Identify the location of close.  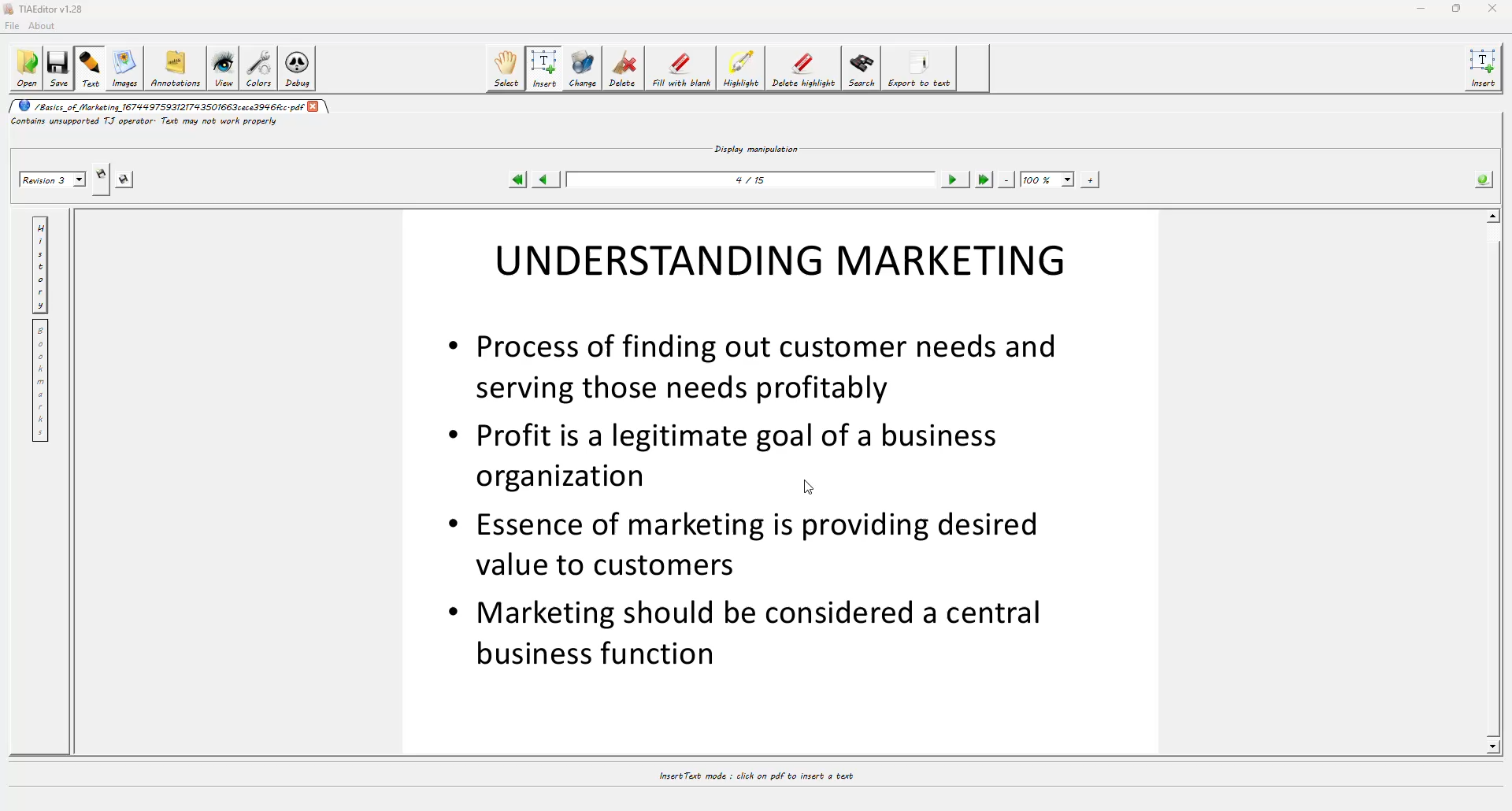
(1492, 8).